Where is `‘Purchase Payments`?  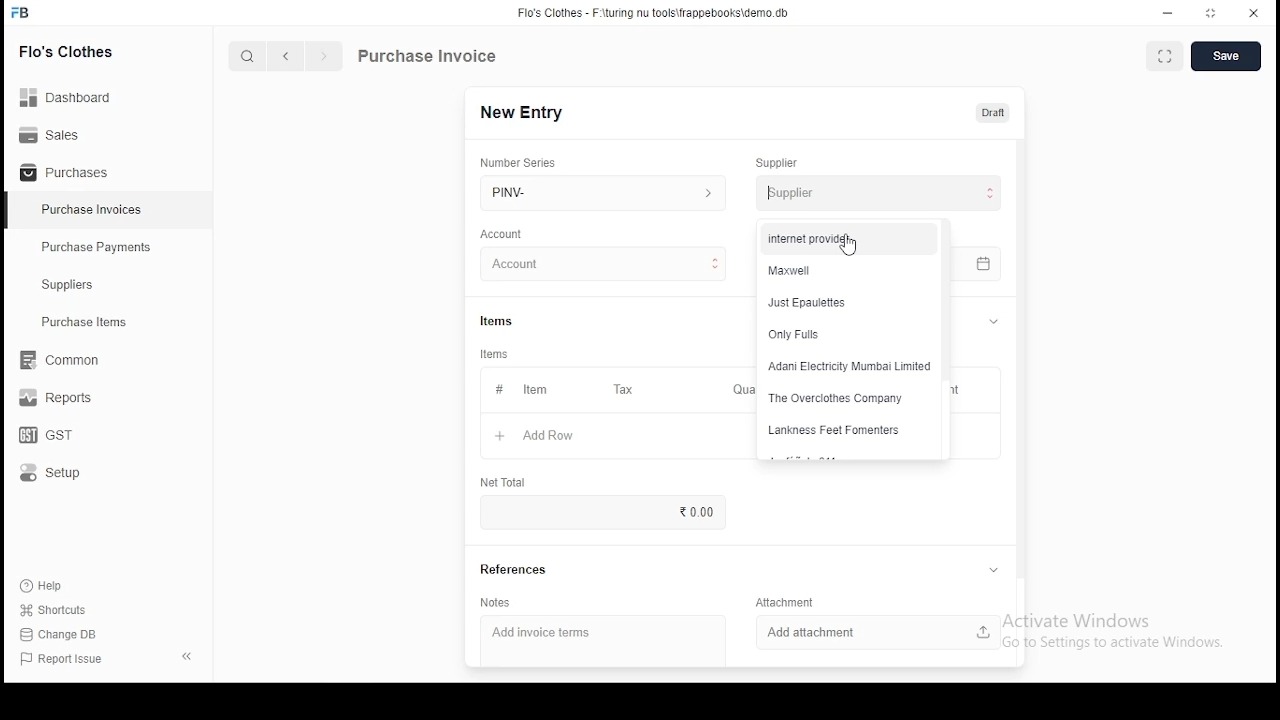
‘Purchase Payments is located at coordinates (98, 247).